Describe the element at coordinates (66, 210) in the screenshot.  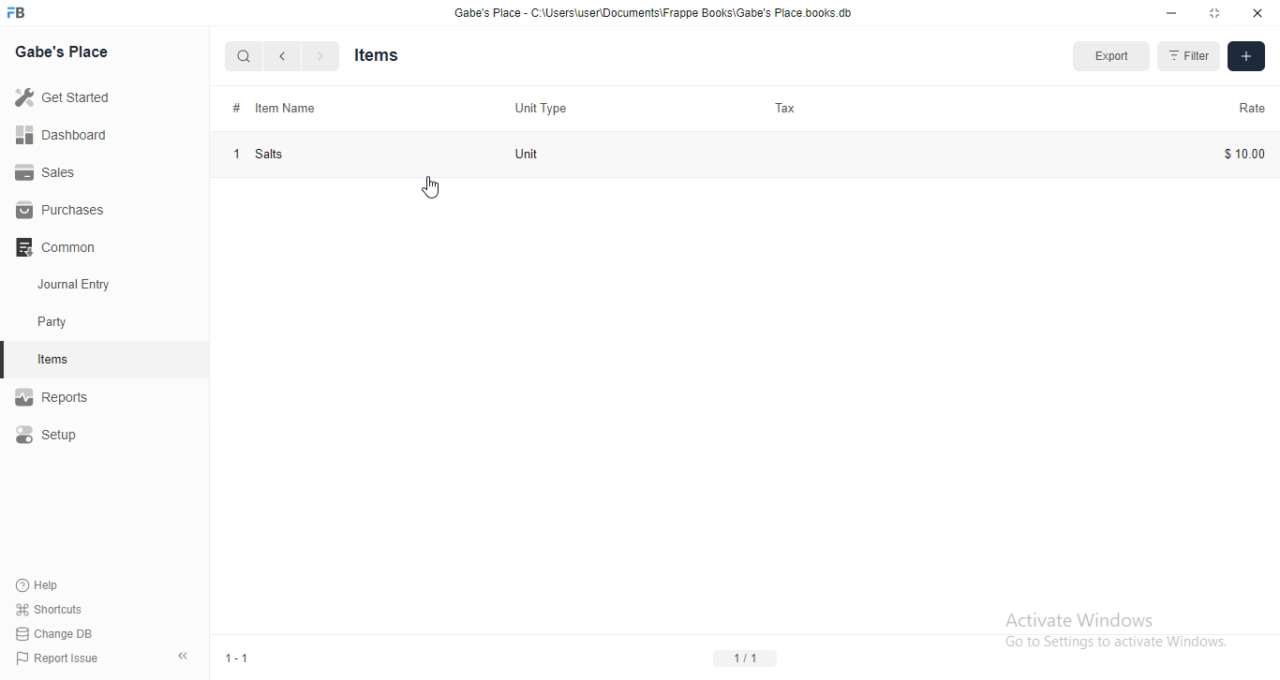
I see `Purchases` at that location.